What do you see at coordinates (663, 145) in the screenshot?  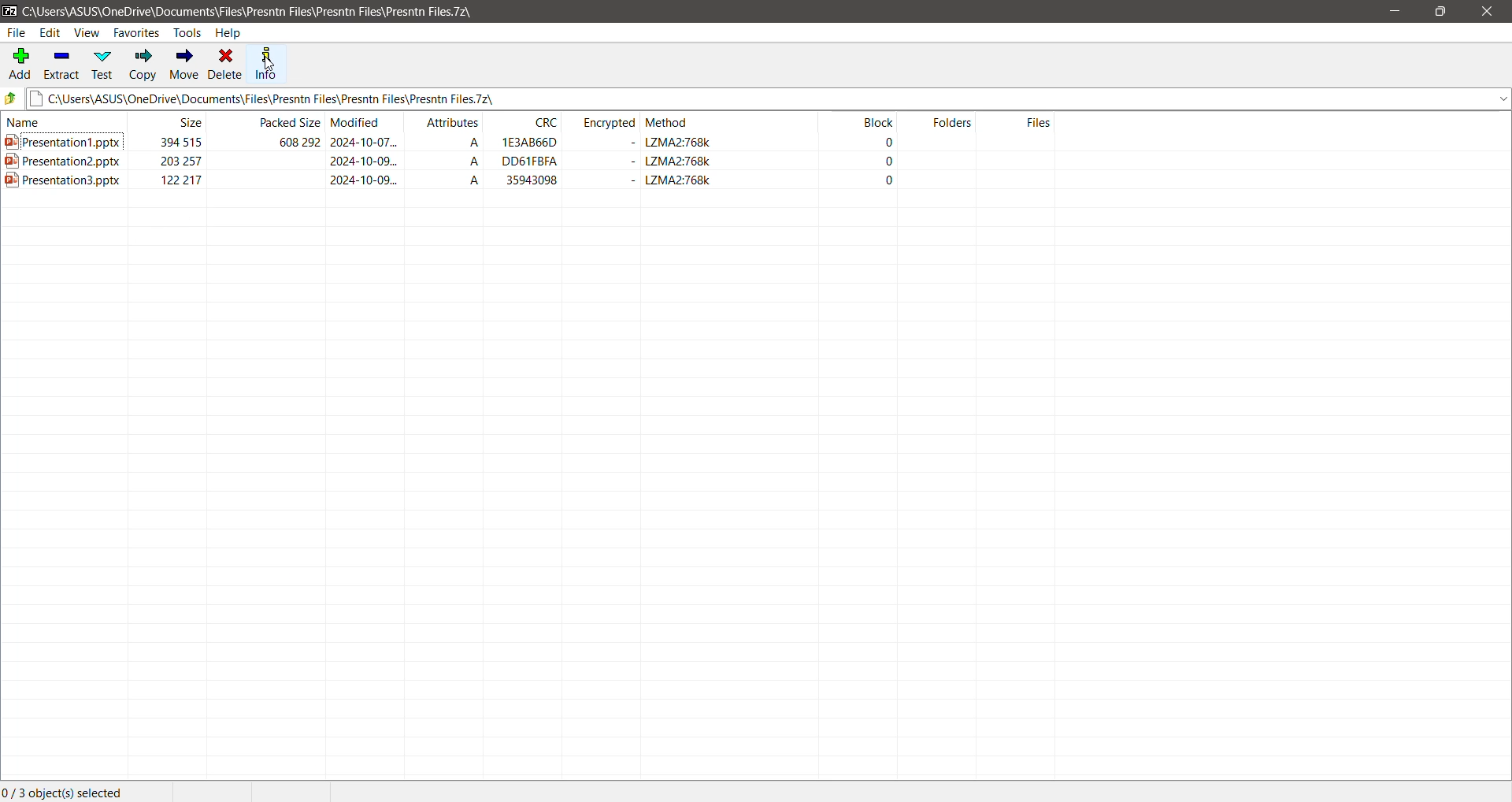 I see `- LZMA2:768k` at bounding box center [663, 145].